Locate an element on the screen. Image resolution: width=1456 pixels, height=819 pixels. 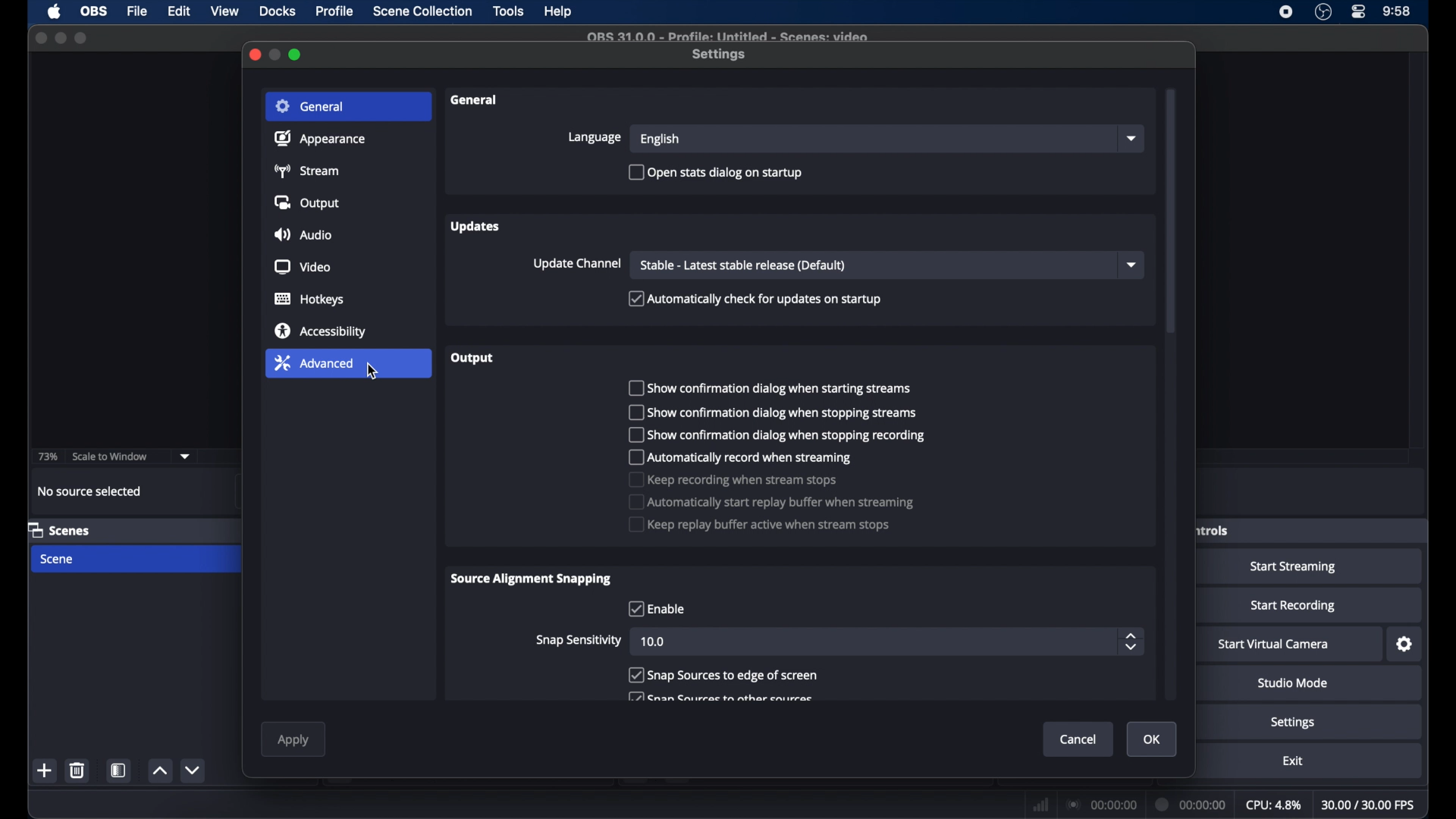
language is located at coordinates (593, 137).